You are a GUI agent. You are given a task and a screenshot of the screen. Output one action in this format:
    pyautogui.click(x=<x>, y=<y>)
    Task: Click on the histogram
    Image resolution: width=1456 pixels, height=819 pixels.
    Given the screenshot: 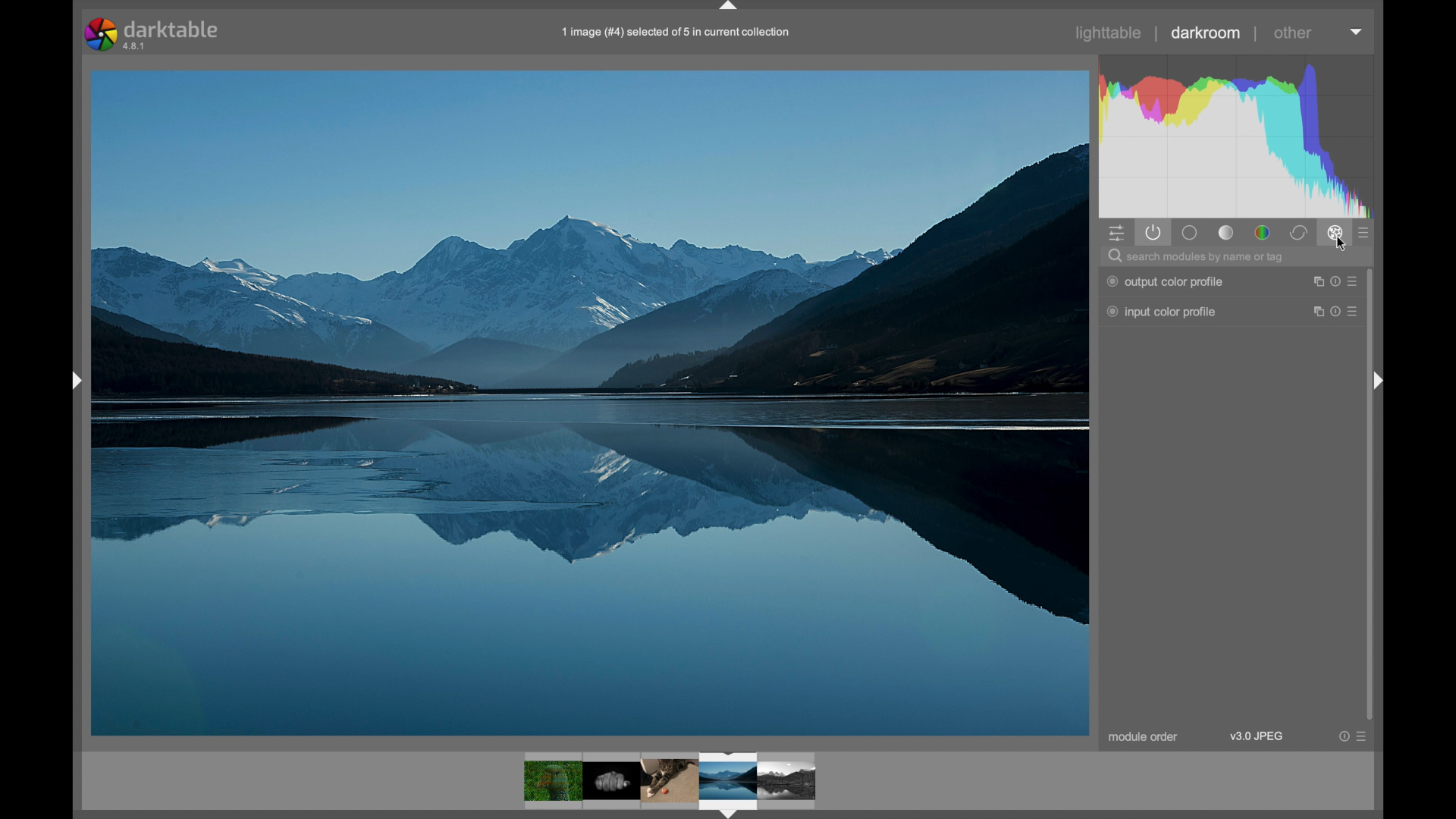 What is the action you would take?
    pyautogui.click(x=1241, y=135)
    